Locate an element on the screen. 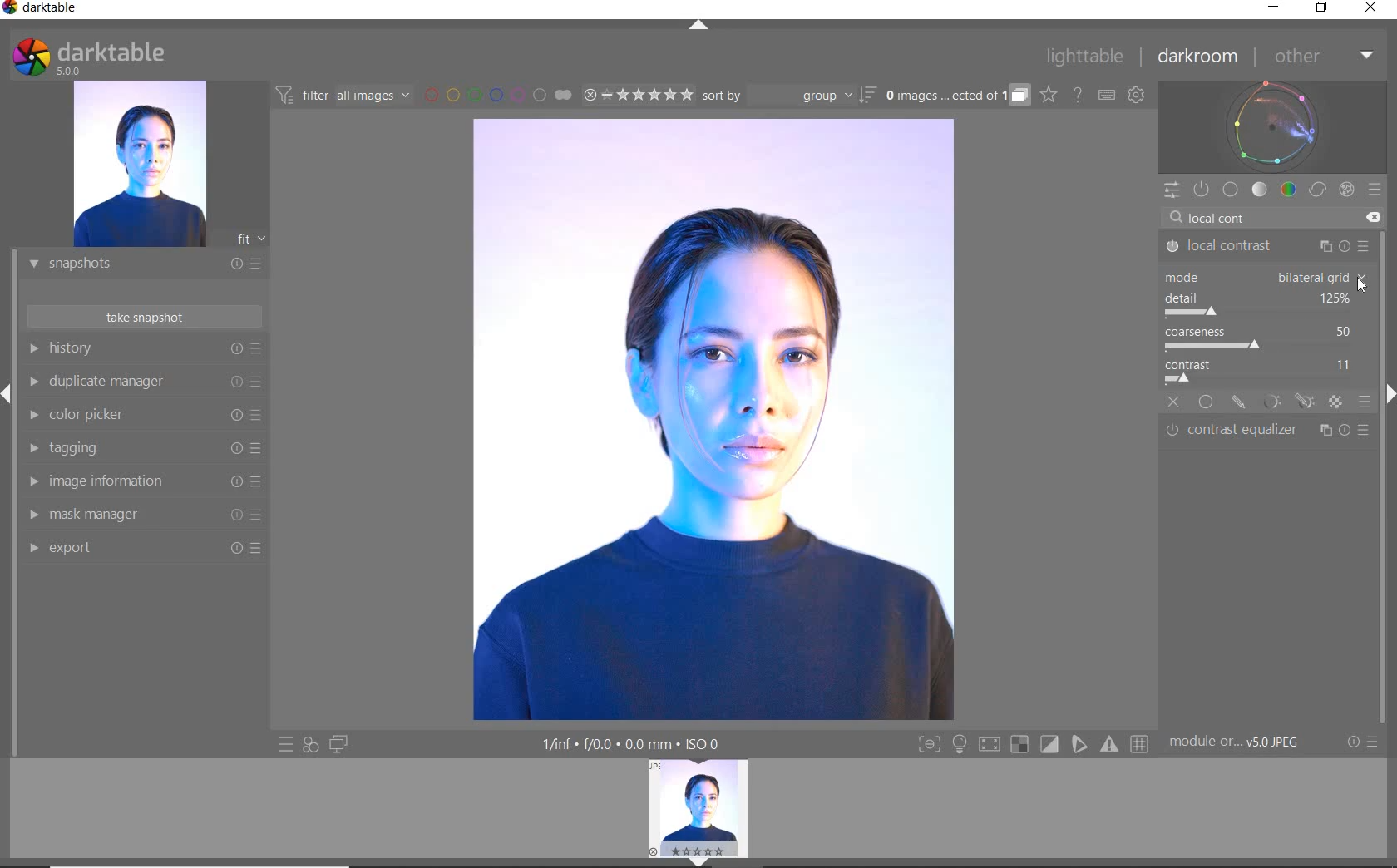 The width and height of the screenshot is (1397, 868). FILTER BY IMAGE COLOR LABEL is located at coordinates (498, 94).